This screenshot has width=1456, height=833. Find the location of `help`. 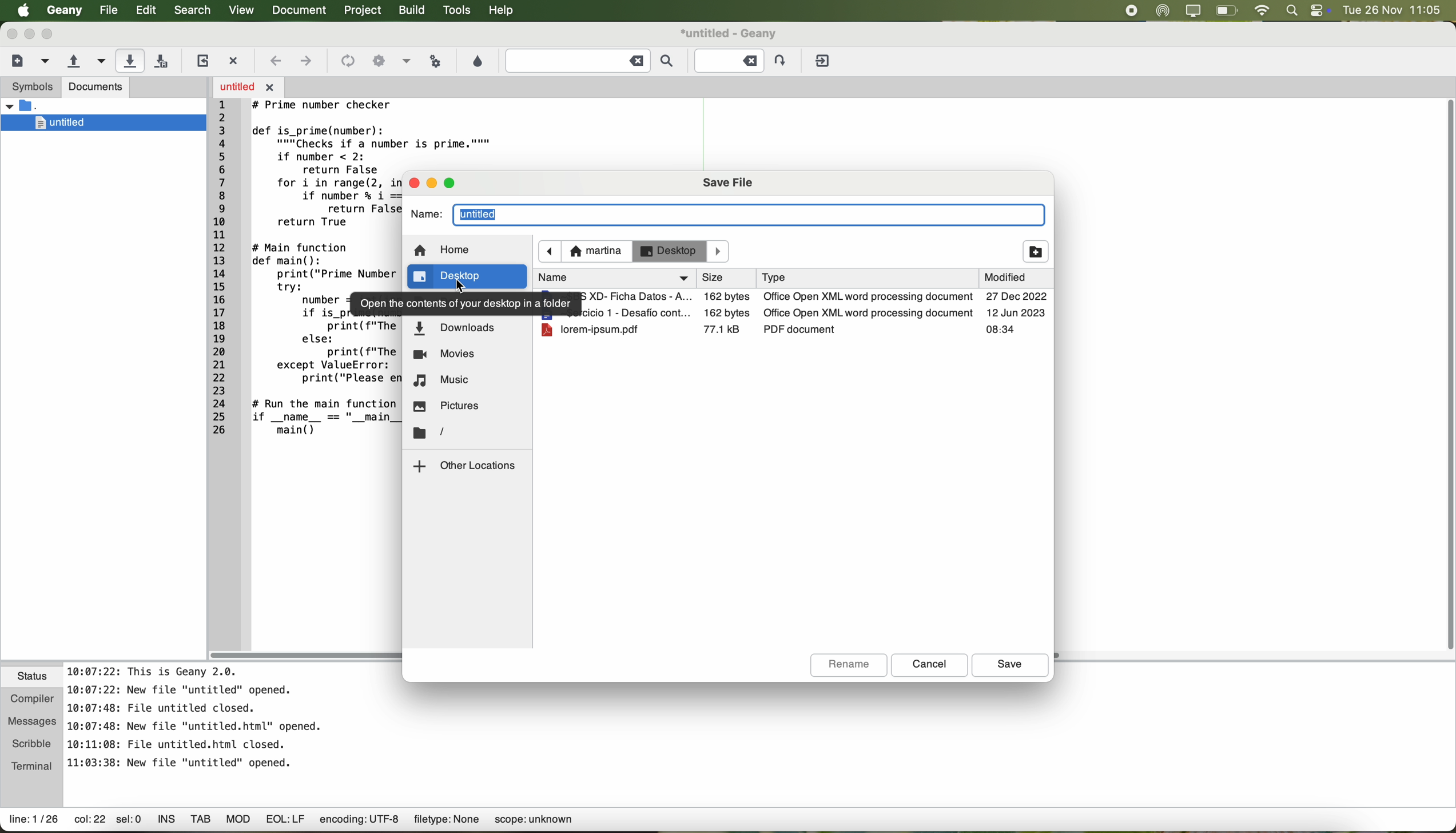

help is located at coordinates (506, 12).